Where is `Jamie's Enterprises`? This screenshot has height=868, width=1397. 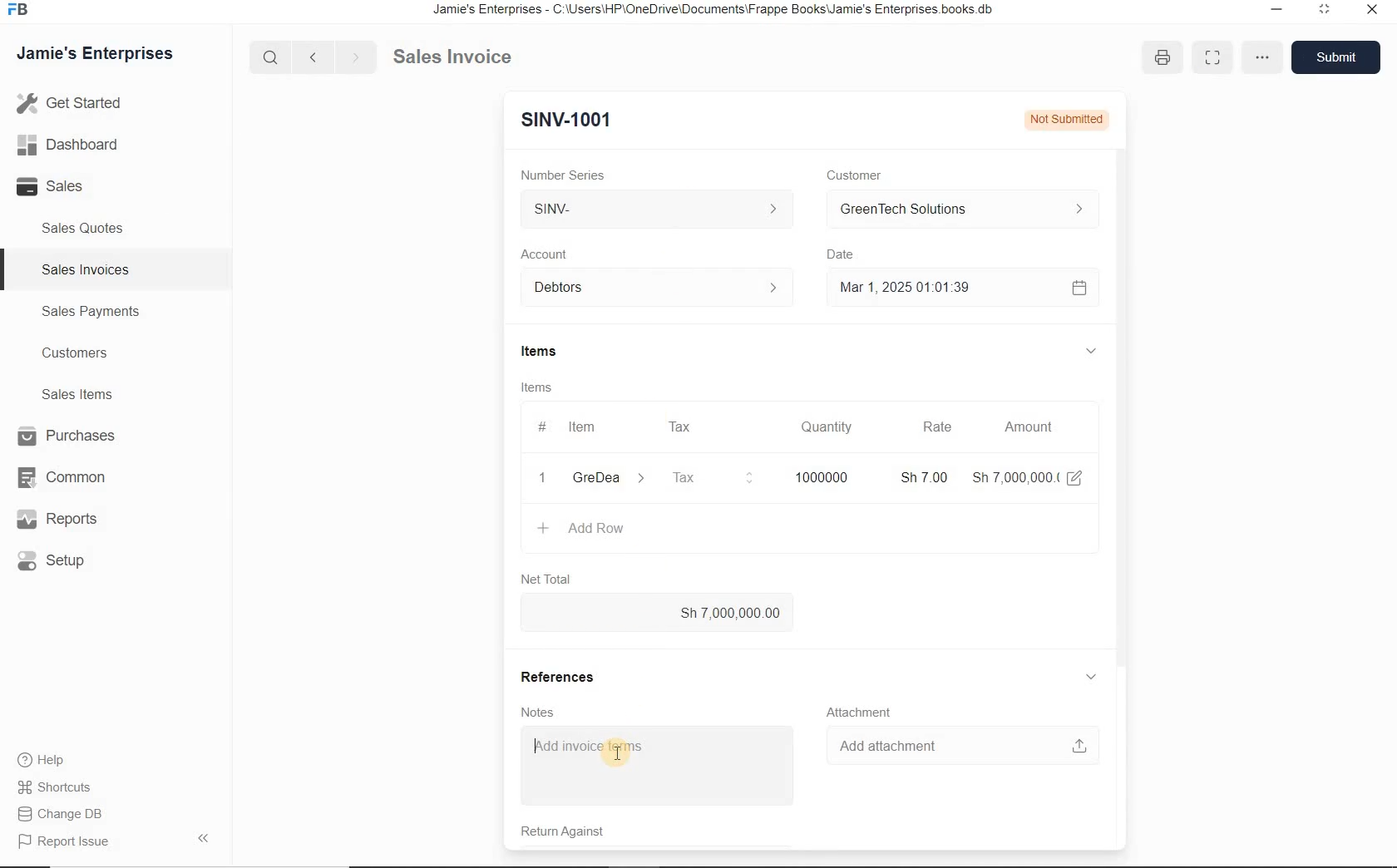 Jamie's Enterprises is located at coordinates (93, 54).